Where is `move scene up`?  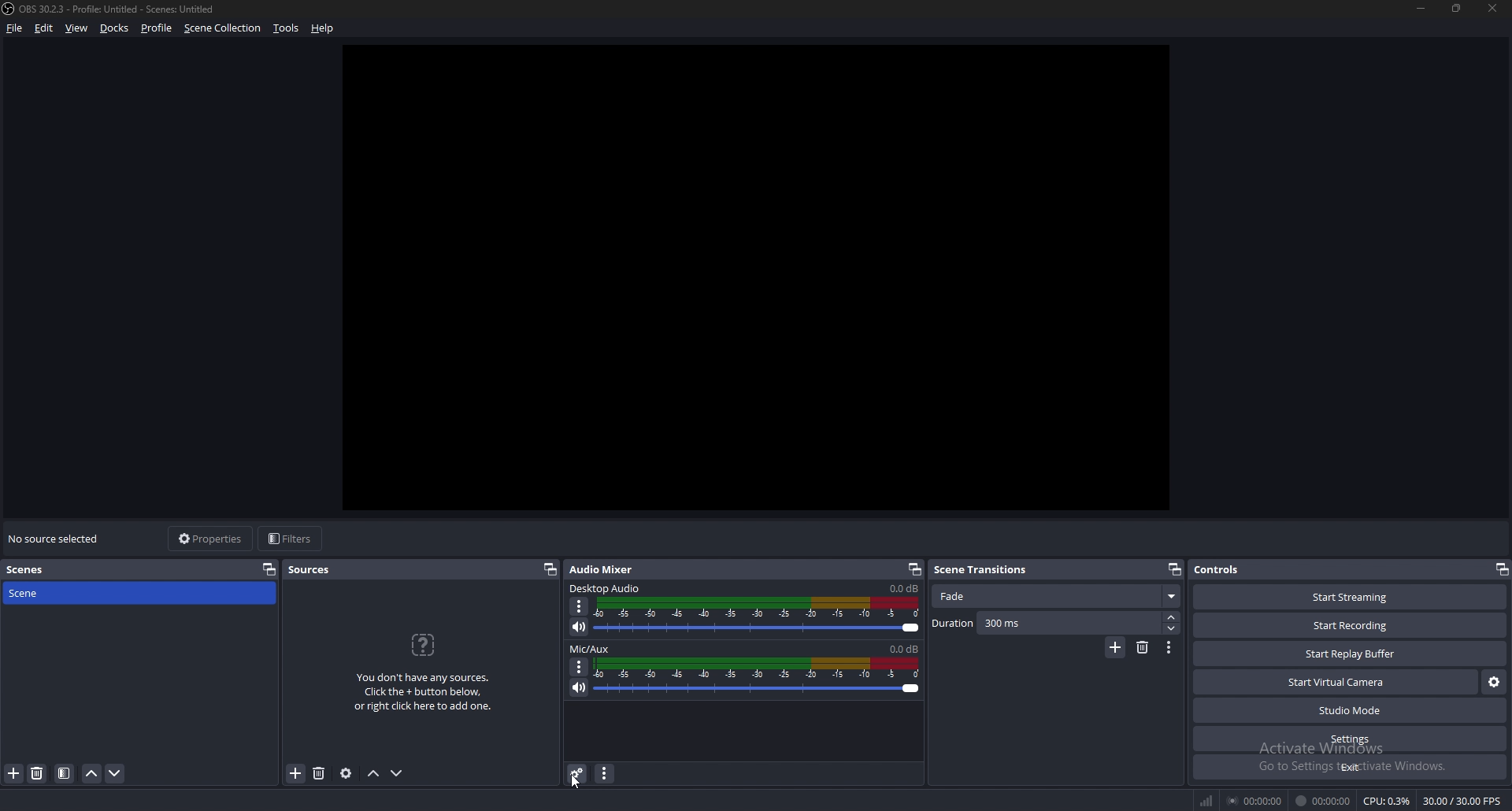
move scene up is located at coordinates (91, 773).